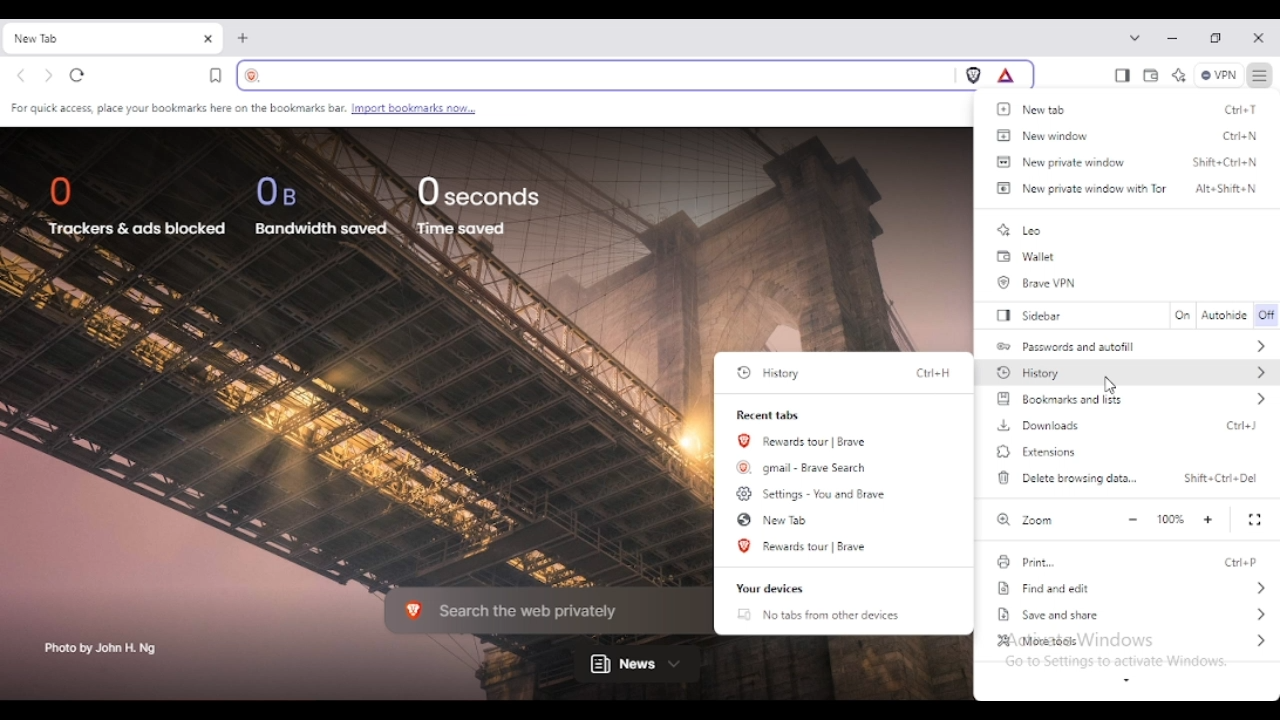 This screenshot has width=1280, height=720. Describe the element at coordinates (805, 546) in the screenshot. I see `rewards tour | Brave` at that location.